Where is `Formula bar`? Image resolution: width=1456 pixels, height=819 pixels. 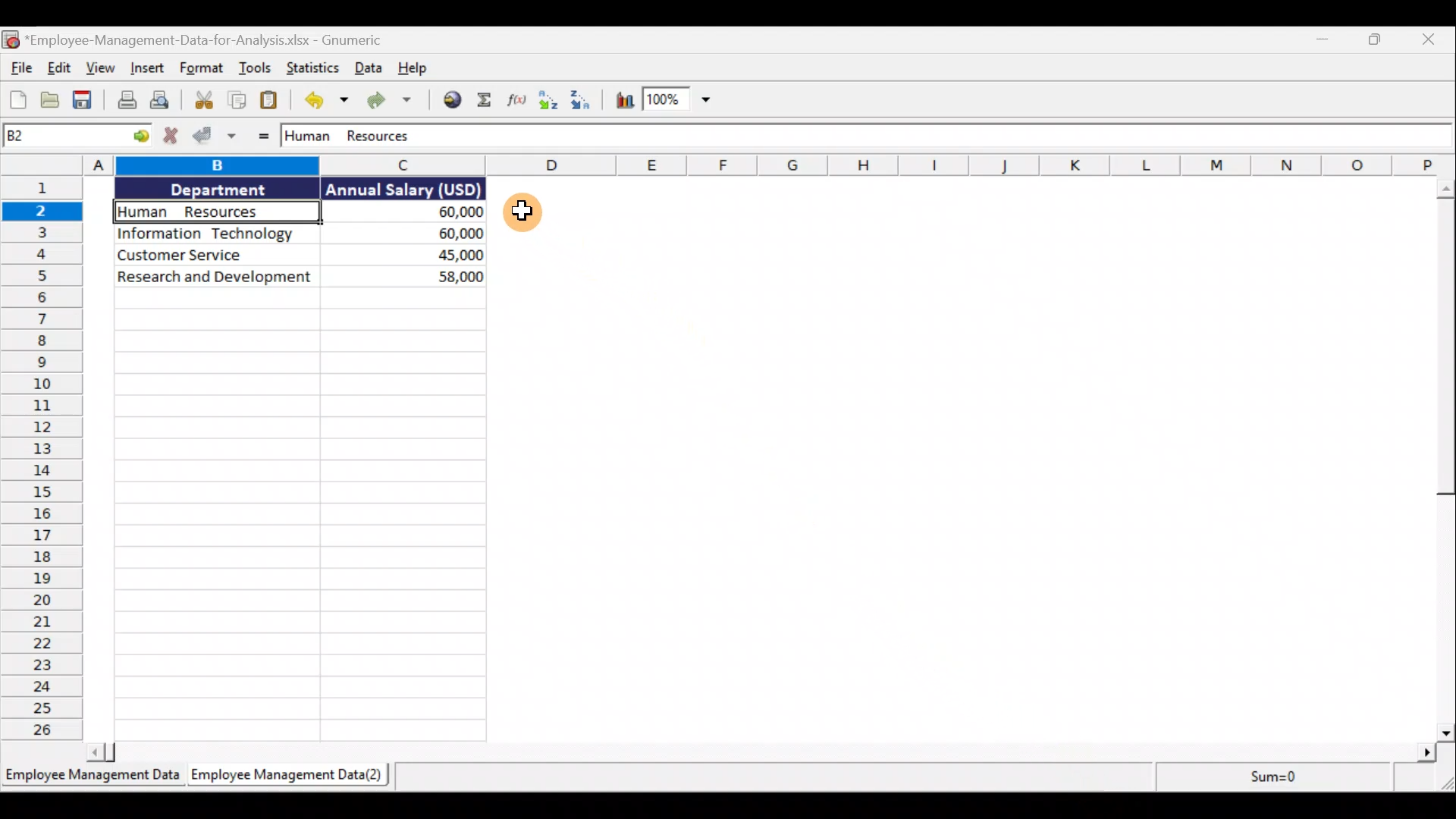
Formula bar is located at coordinates (861, 136).